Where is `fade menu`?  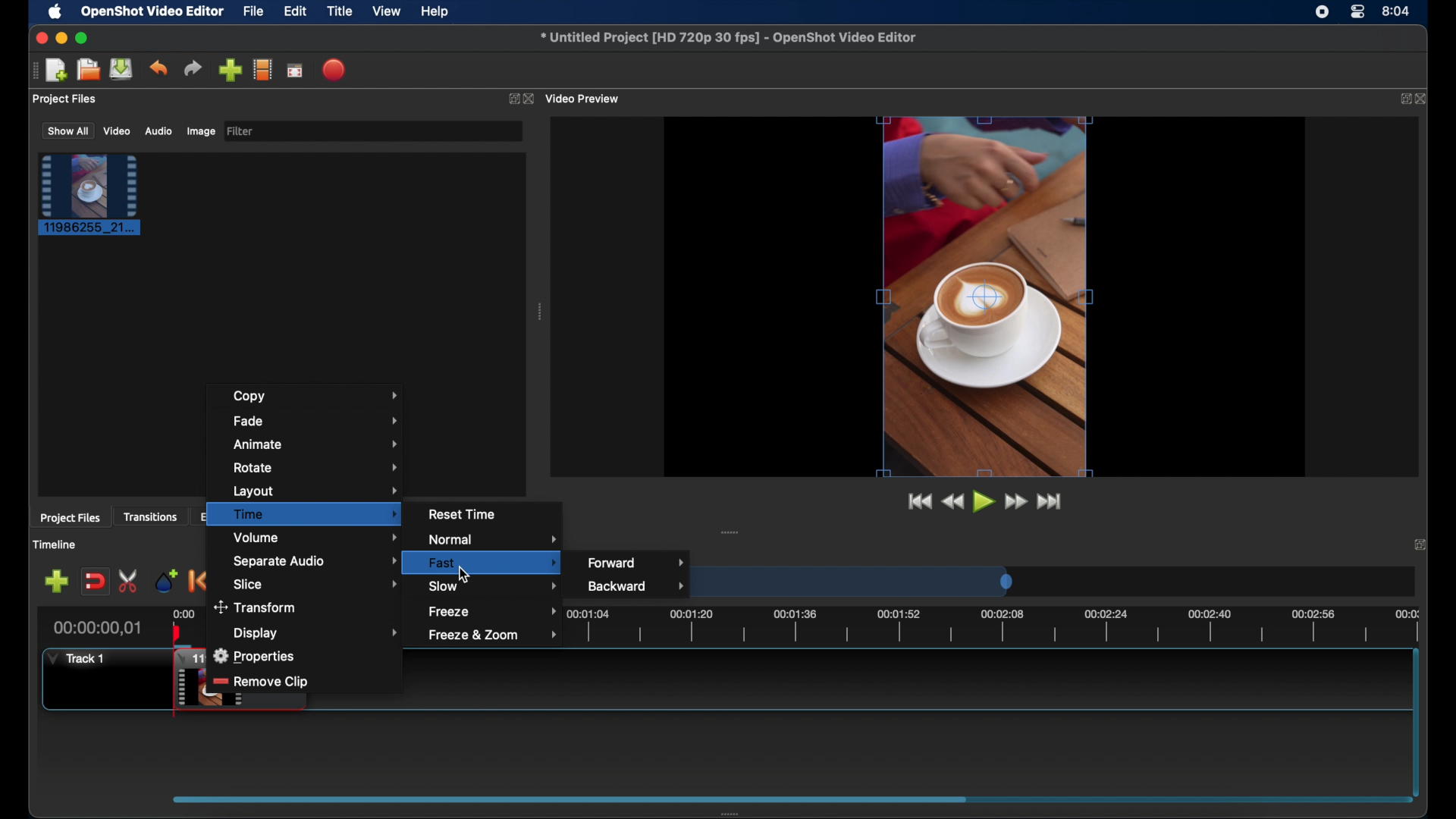
fade menu is located at coordinates (318, 421).